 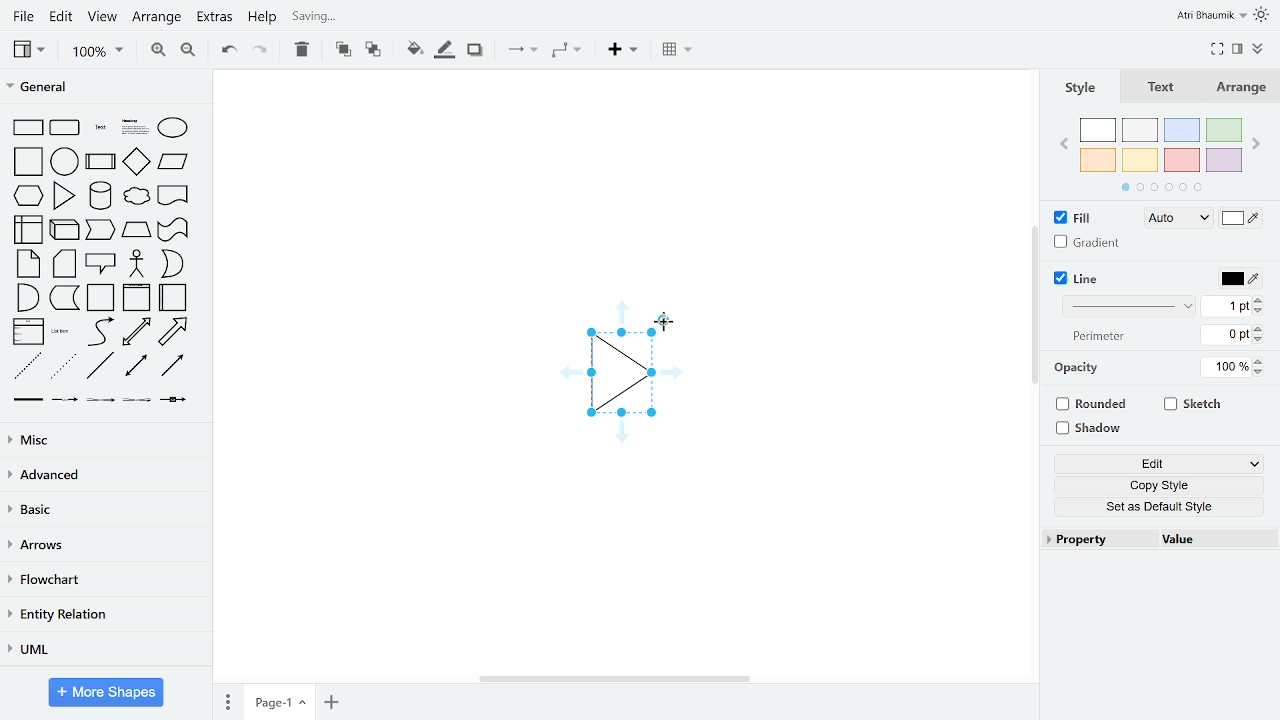 What do you see at coordinates (135, 402) in the screenshot?
I see `connector with 3 label` at bounding box center [135, 402].